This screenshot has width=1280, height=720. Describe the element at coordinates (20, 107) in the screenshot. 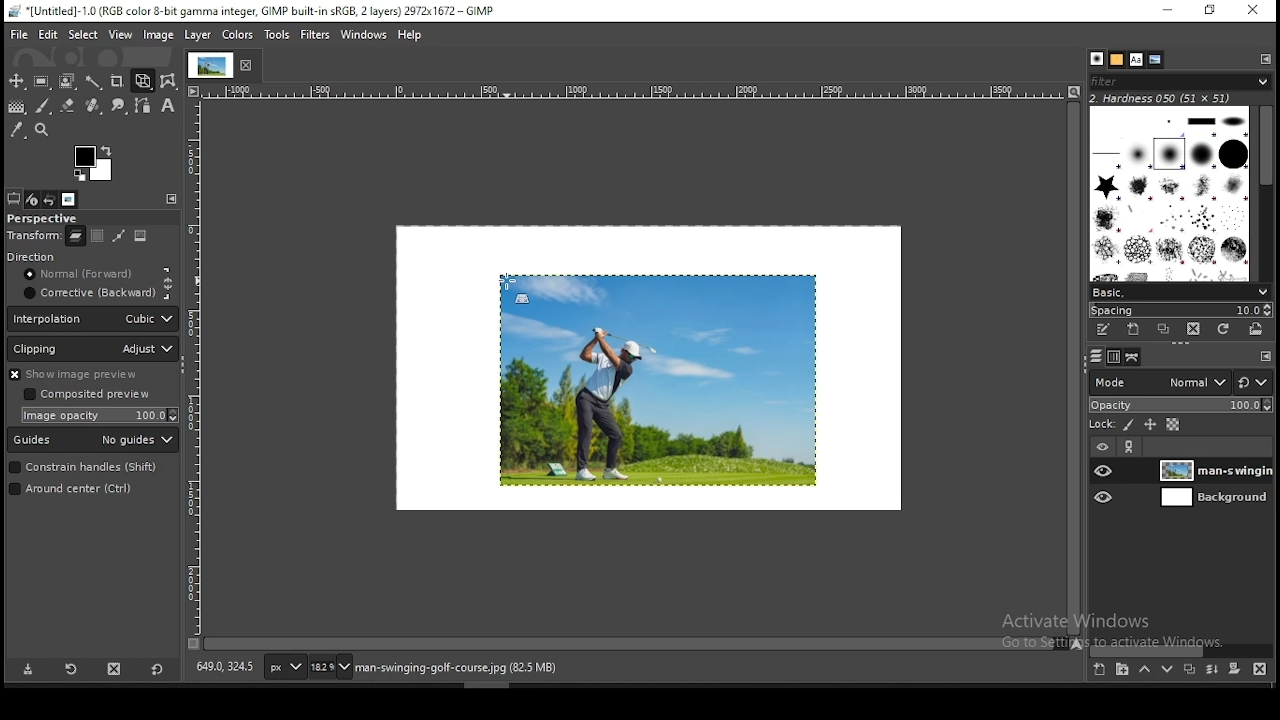

I see `gradient tool` at that location.